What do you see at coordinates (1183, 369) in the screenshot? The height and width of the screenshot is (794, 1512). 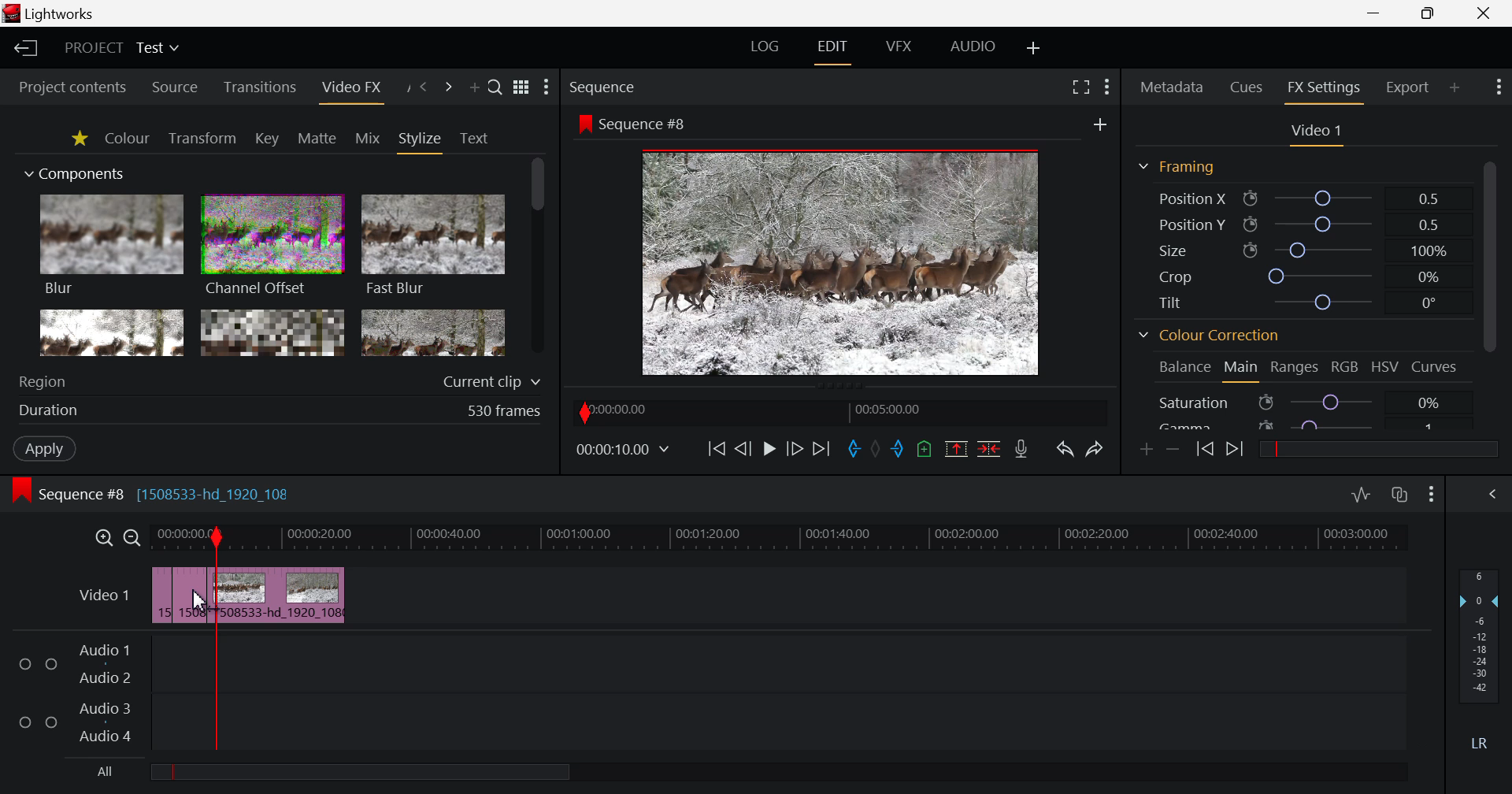 I see `Balance` at bounding box center [1183, 369].